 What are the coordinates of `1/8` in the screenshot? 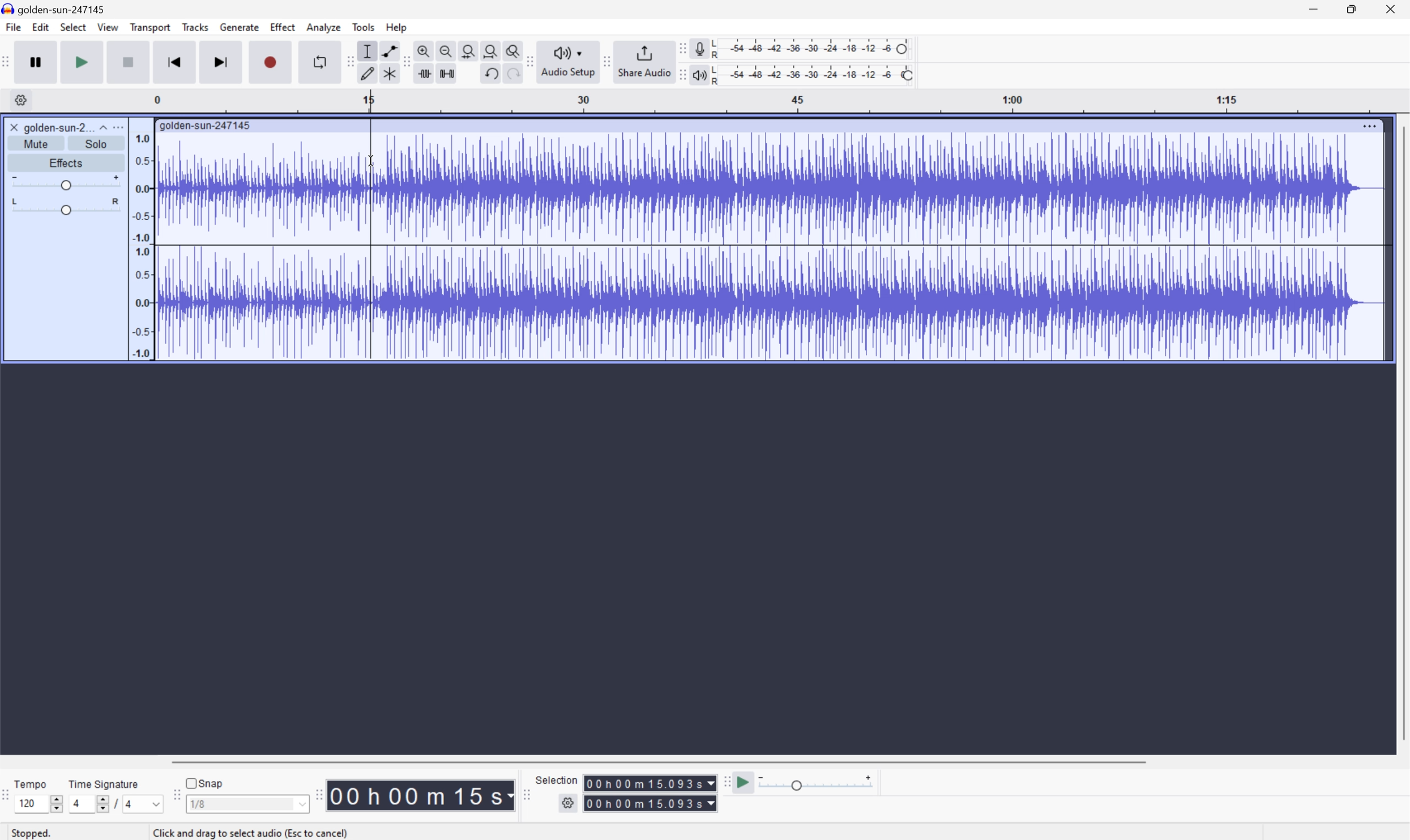 It's located at (198, 803).